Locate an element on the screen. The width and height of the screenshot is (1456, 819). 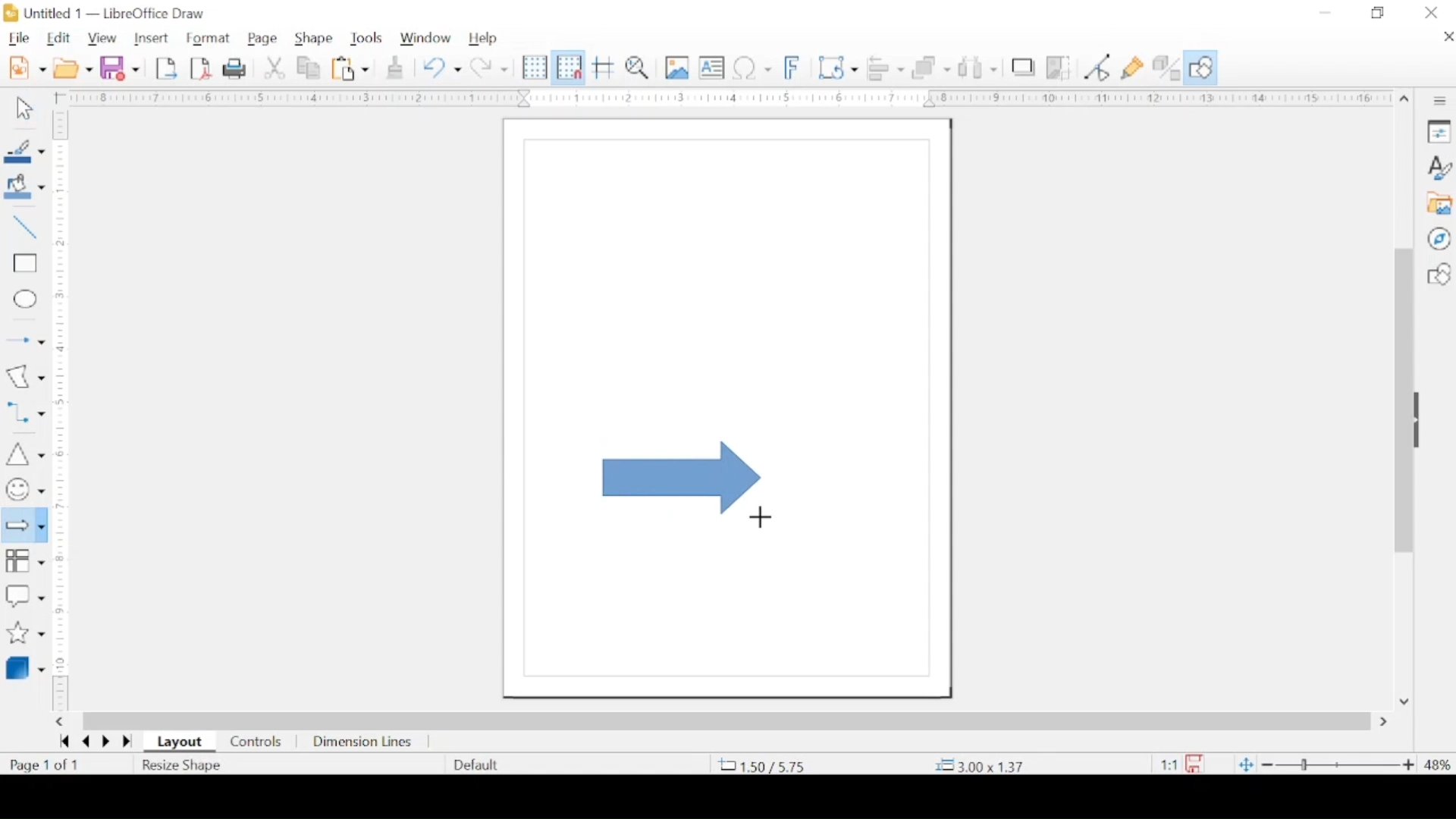
transformations is located at coordinates (837, 67).